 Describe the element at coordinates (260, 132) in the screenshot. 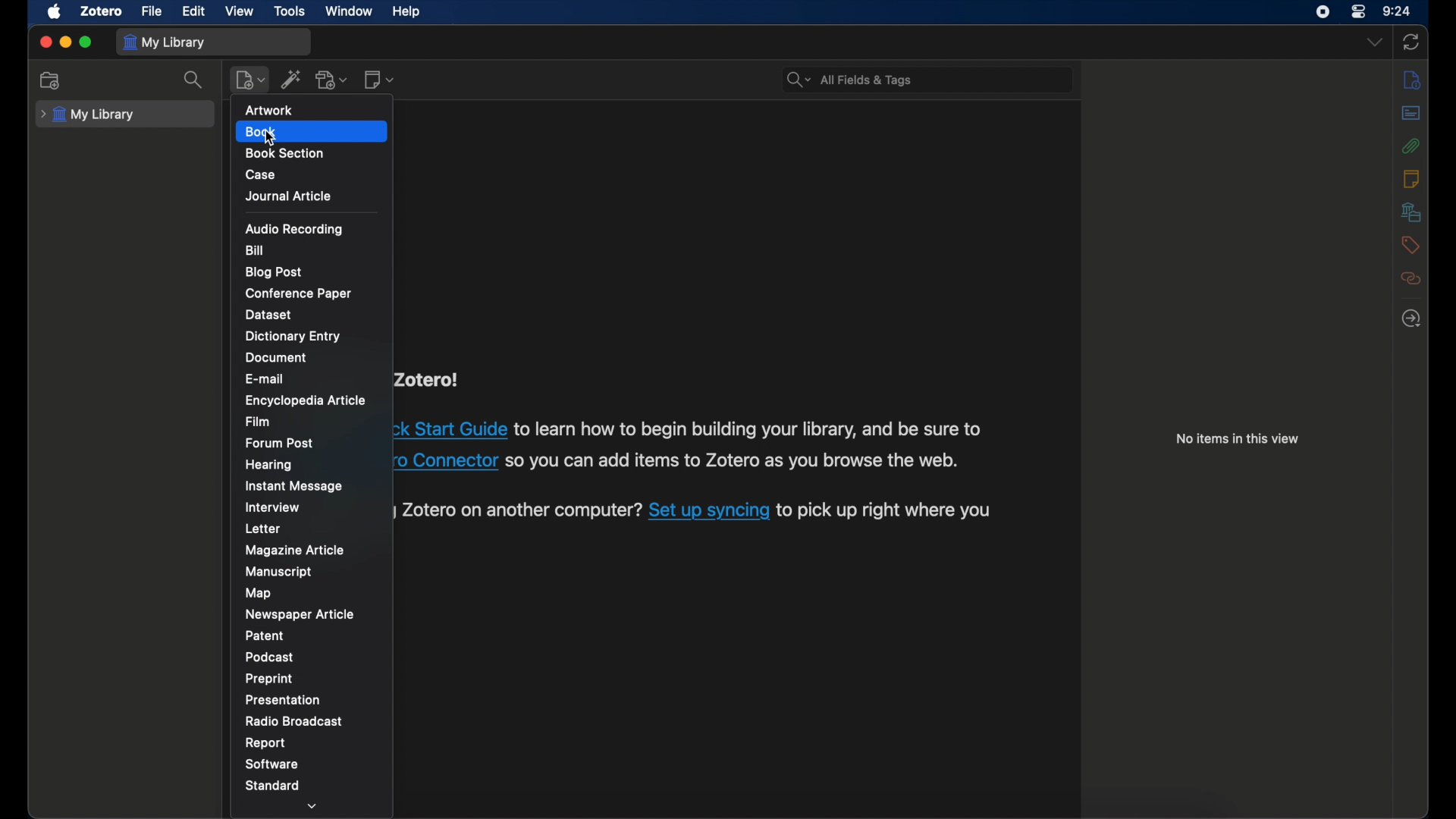

I see `book` at that location.